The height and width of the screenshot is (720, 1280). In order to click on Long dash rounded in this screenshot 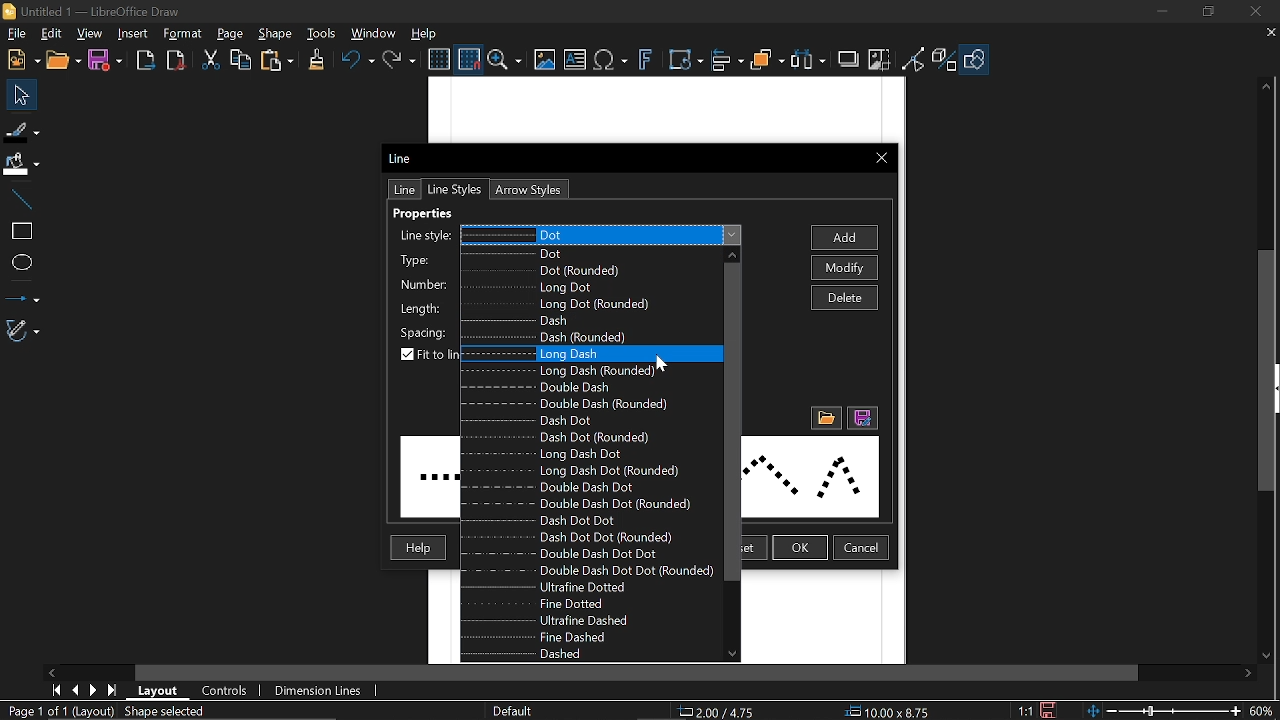, I will do `click(589, 371)`.